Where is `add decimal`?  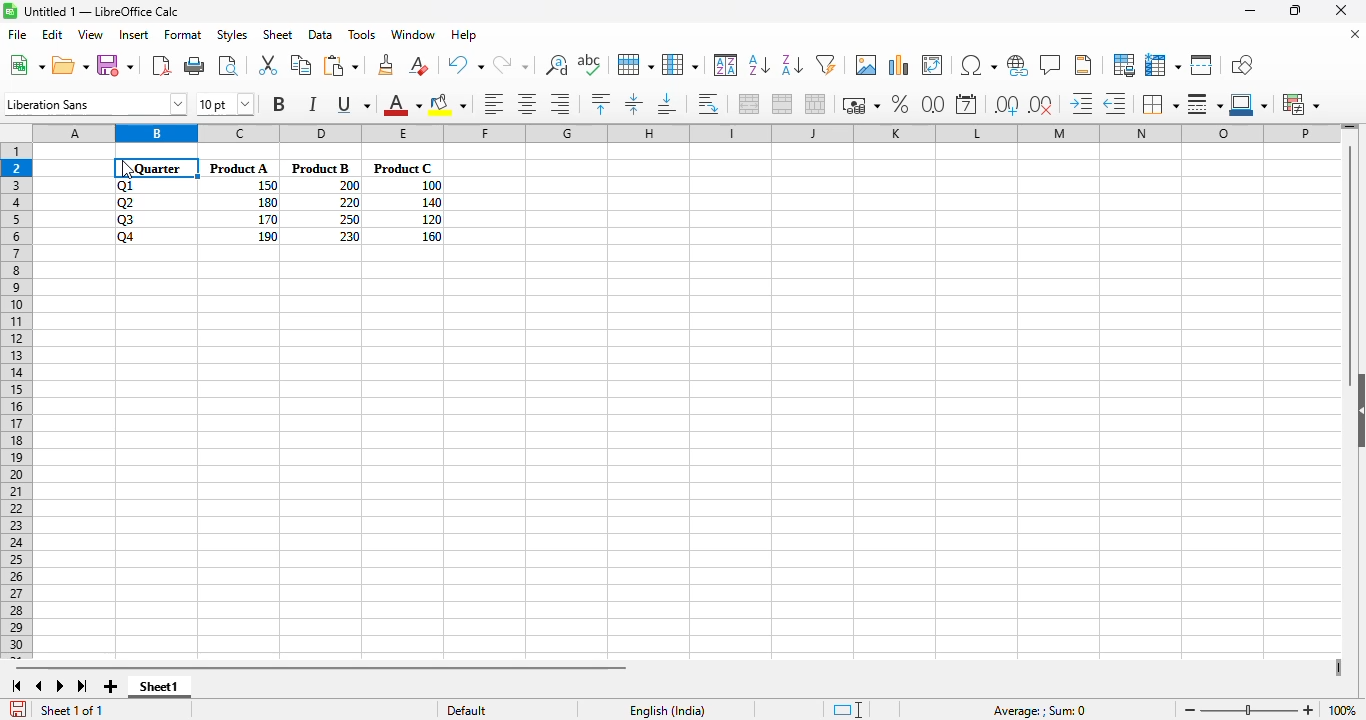
add decimal is located at coordinates (1007, 105).